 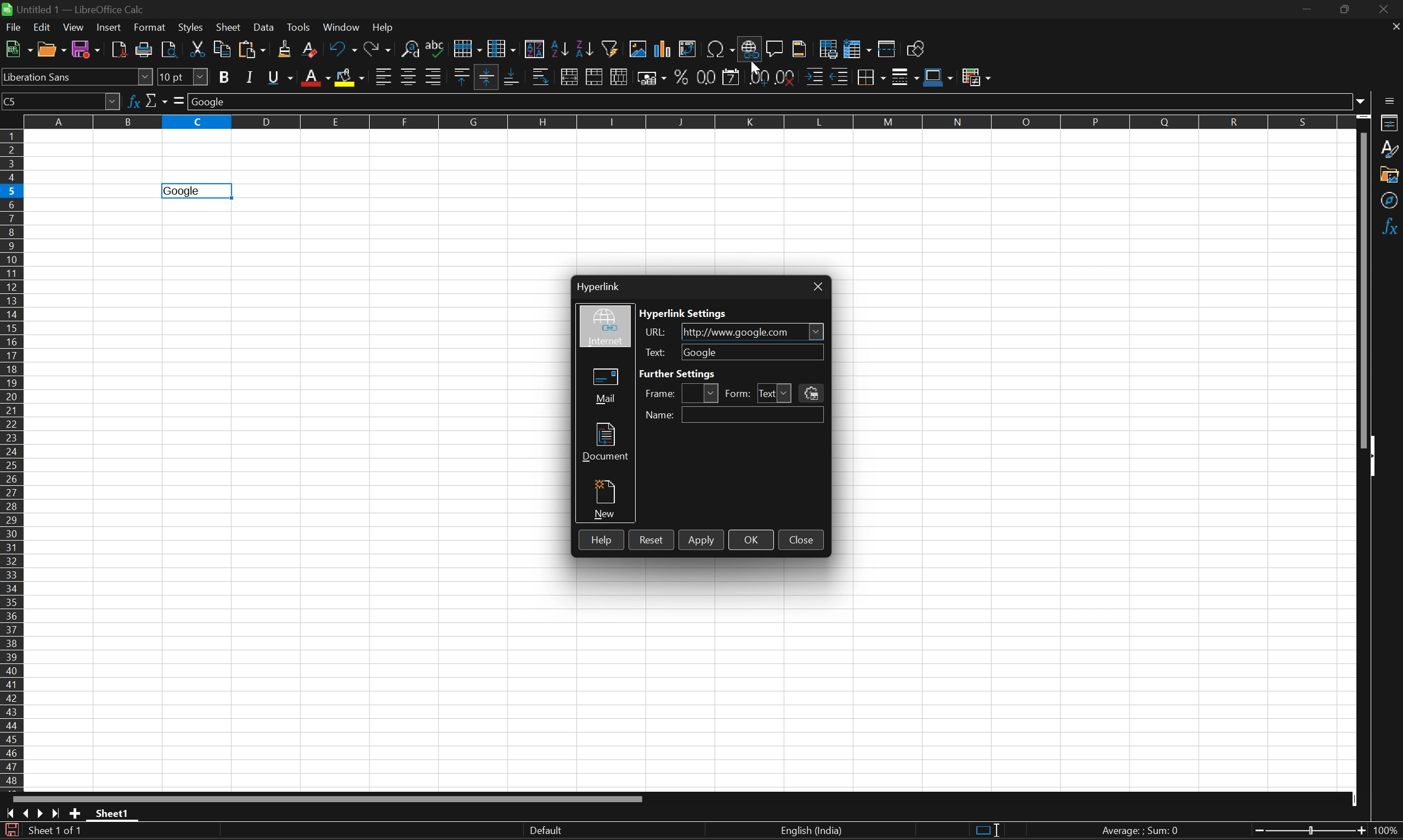 I want to click on Decrease indent, so click(x=840, y=76).